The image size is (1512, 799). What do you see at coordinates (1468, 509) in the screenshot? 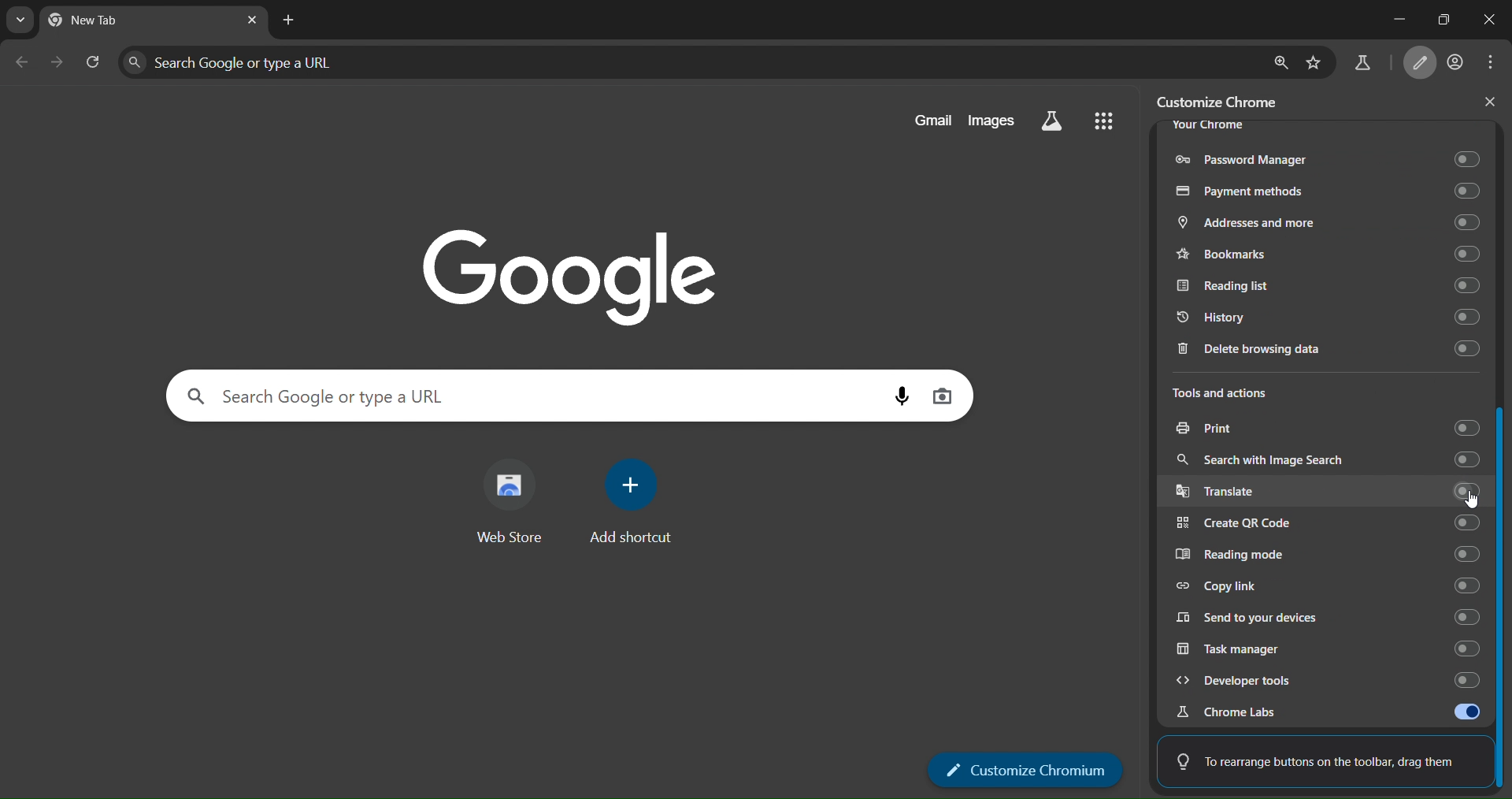
I see `pointer cursor` at bounding box center [1468, 509].